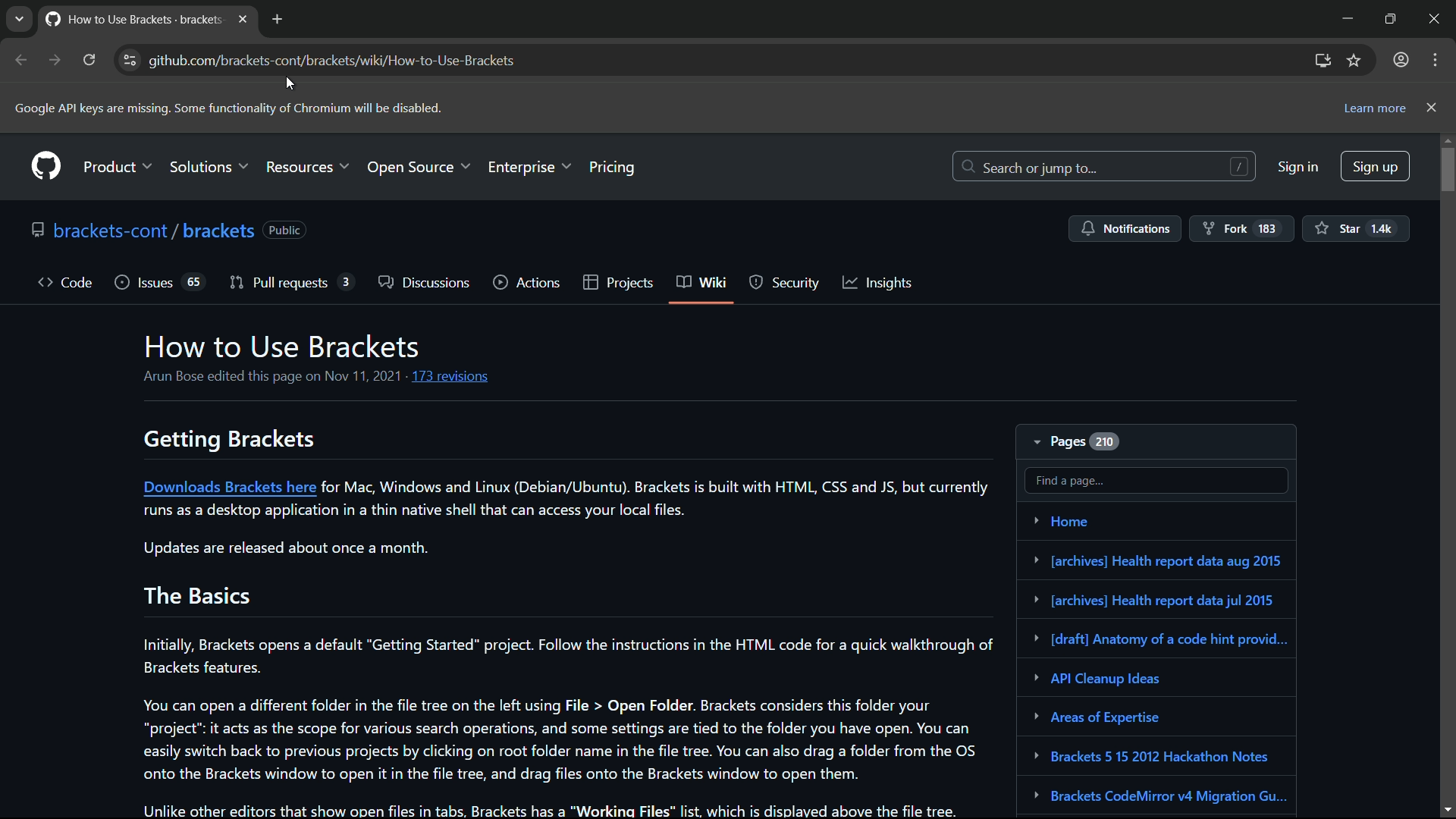 The width and height of the screenshot is (1456, 819). I want to click on close tab, so click(244, 18).